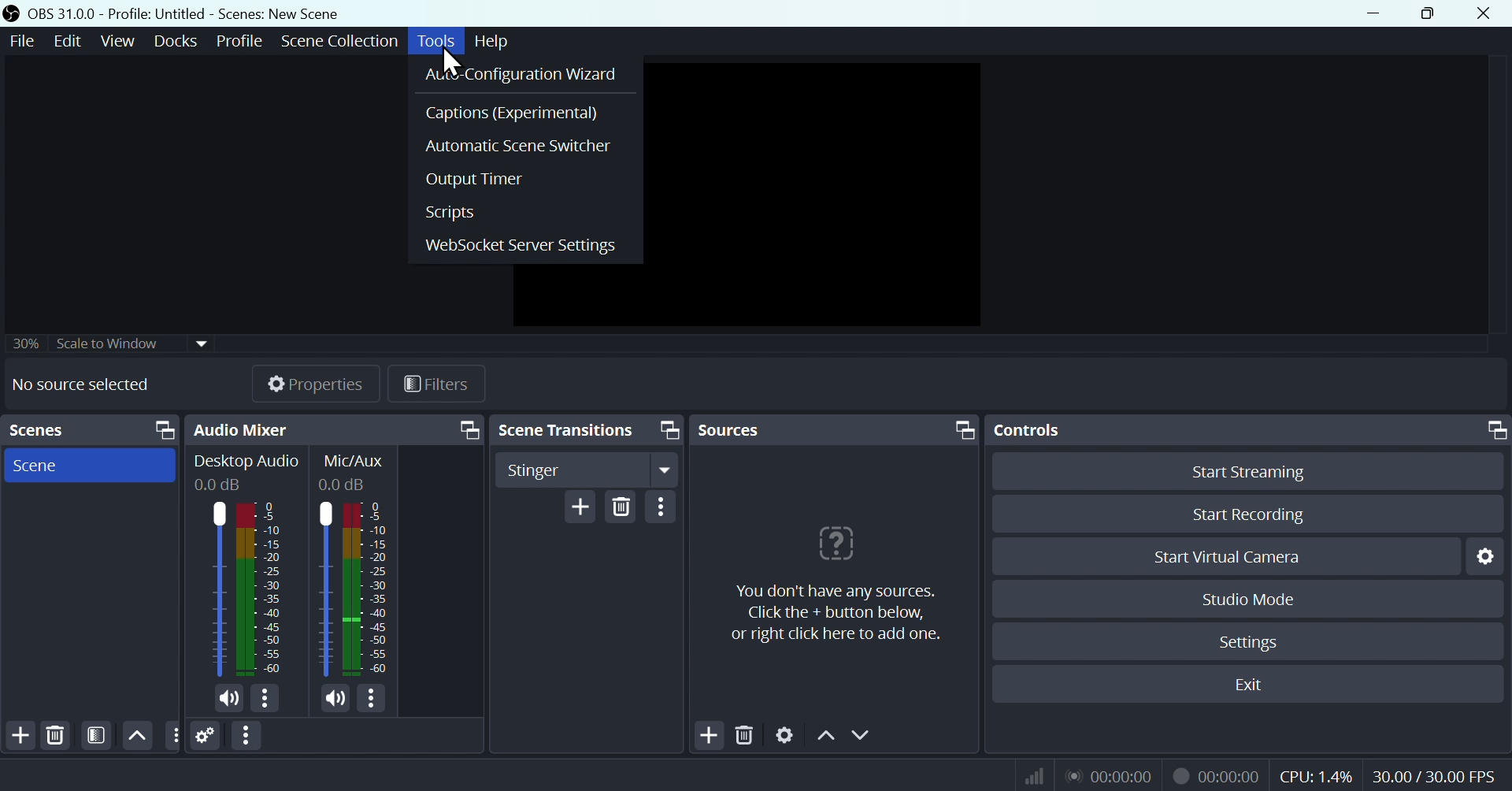 Image resolution: width=1512 pixels, height=791 pixels. What do you see at coordinates (94, 736) in the screenshot?
I see `Filters` at bounding box center [94, 736].